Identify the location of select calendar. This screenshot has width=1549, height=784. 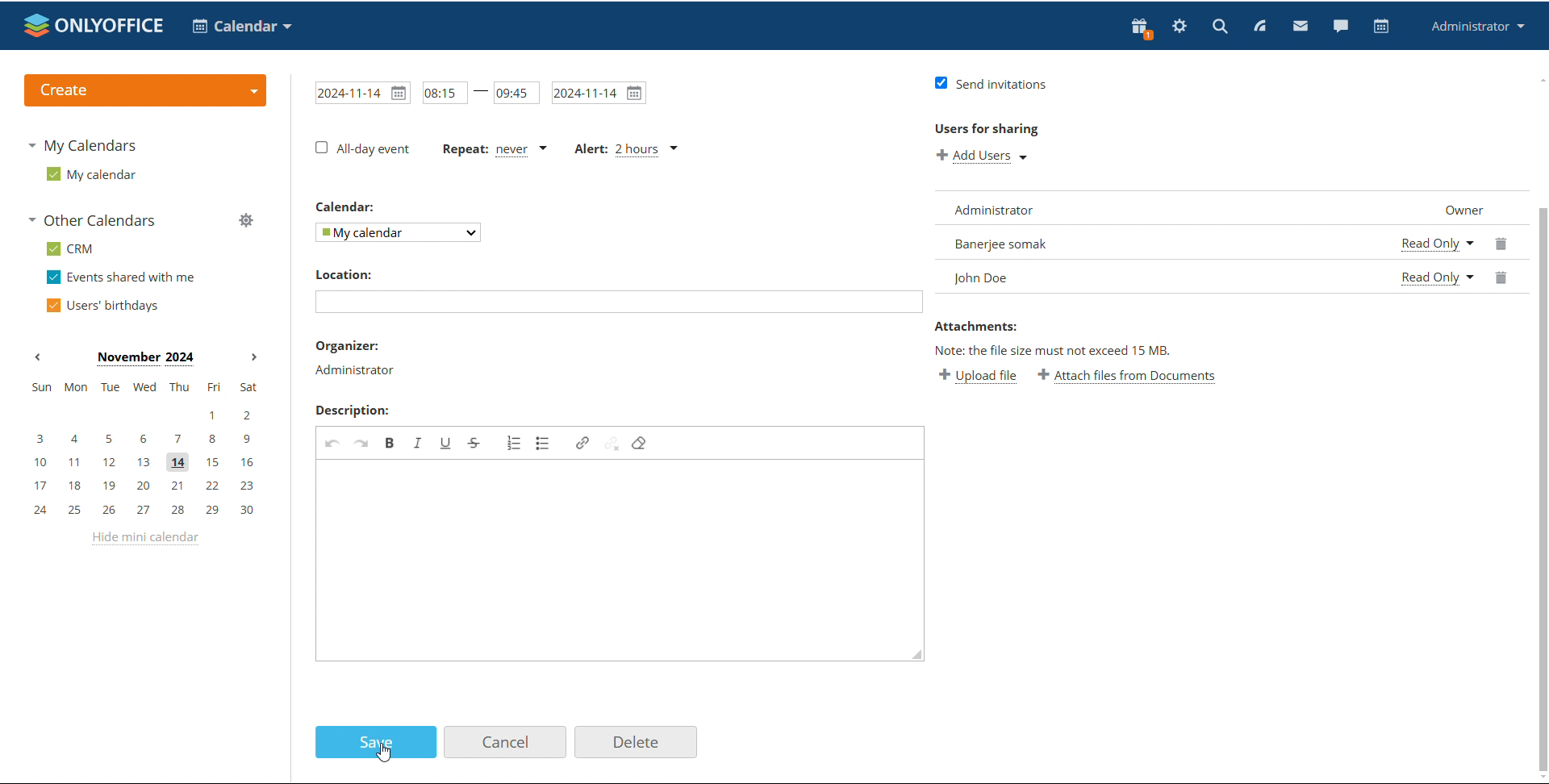
(400, 233).